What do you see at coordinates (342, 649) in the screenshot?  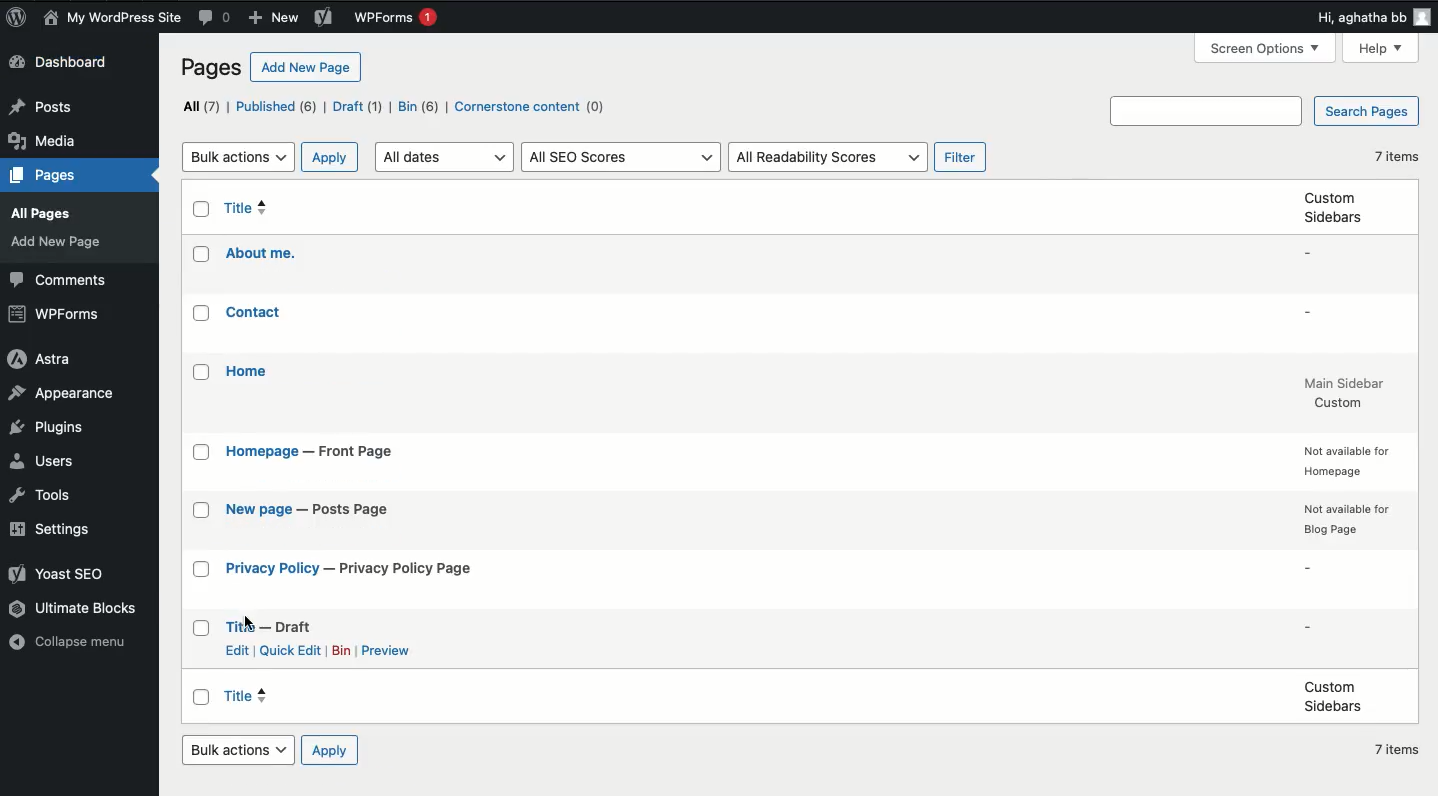 I see `Bin` at bounding box center [342, 649].